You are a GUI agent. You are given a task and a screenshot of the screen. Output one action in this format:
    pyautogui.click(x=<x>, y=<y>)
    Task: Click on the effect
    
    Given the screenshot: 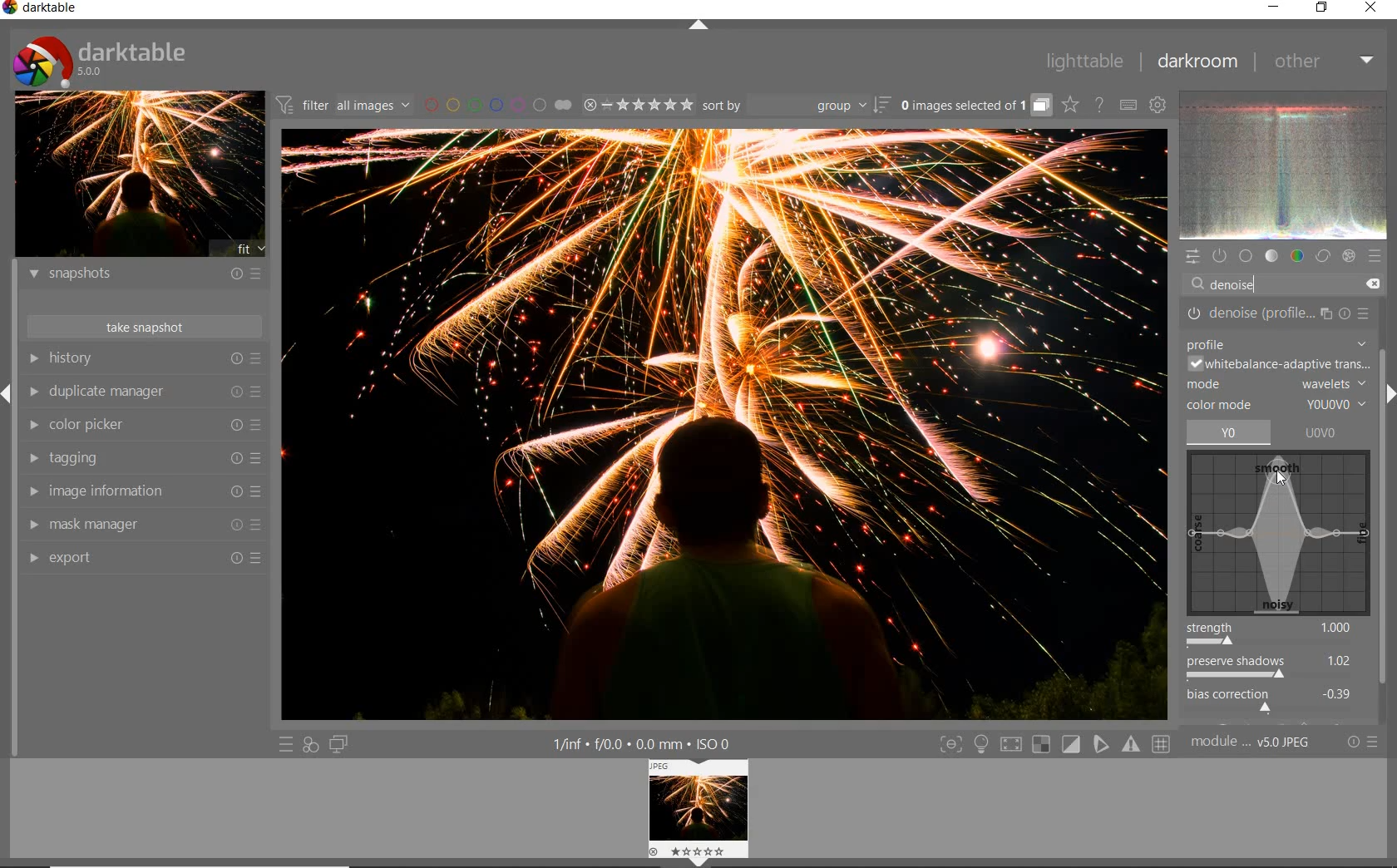 What is the action you would take?
    pyautogui.click(x=1349, y=257)
    